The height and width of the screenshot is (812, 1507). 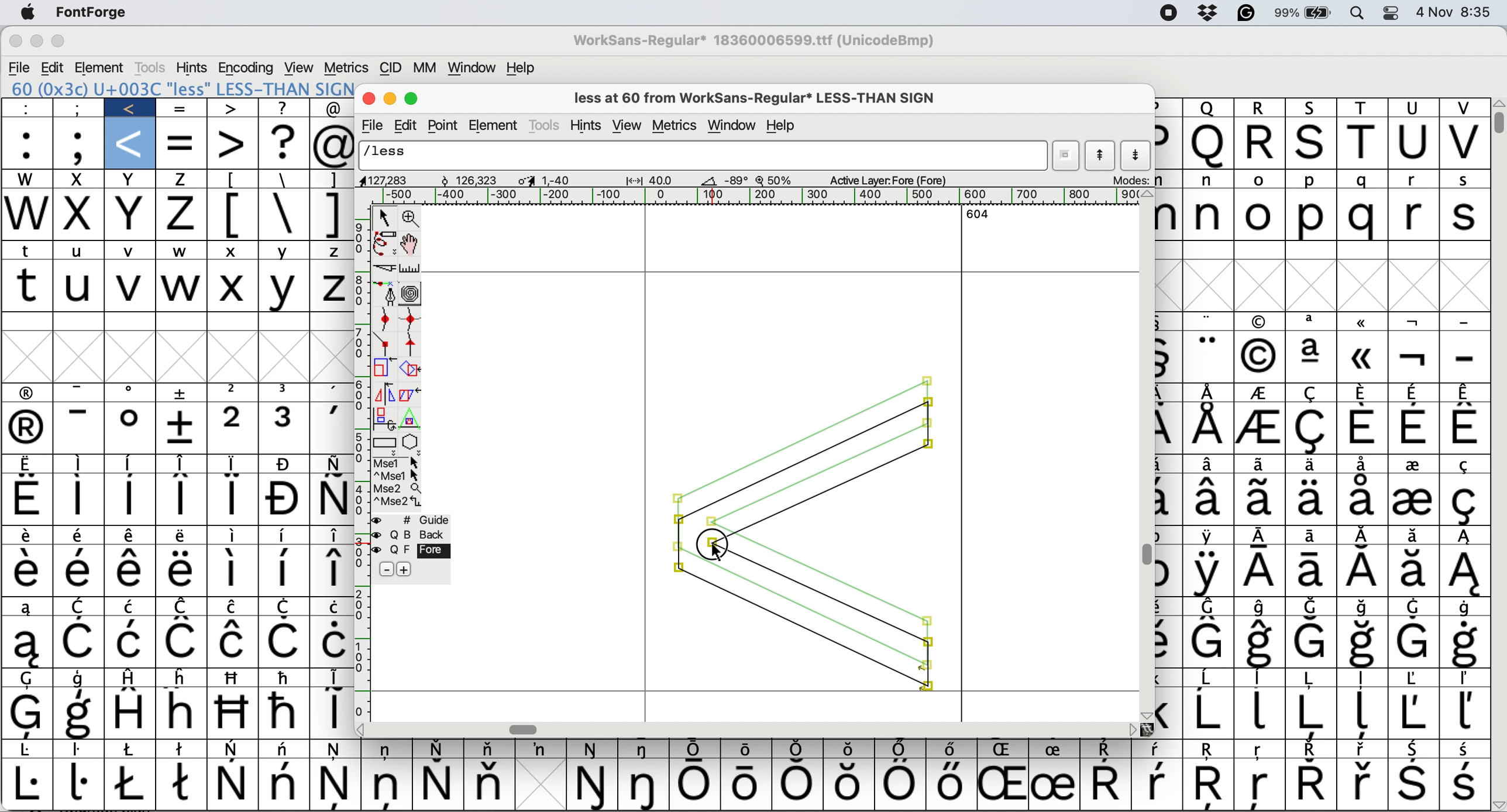 I want to click on Symbol, so click(x=1464, y=713).